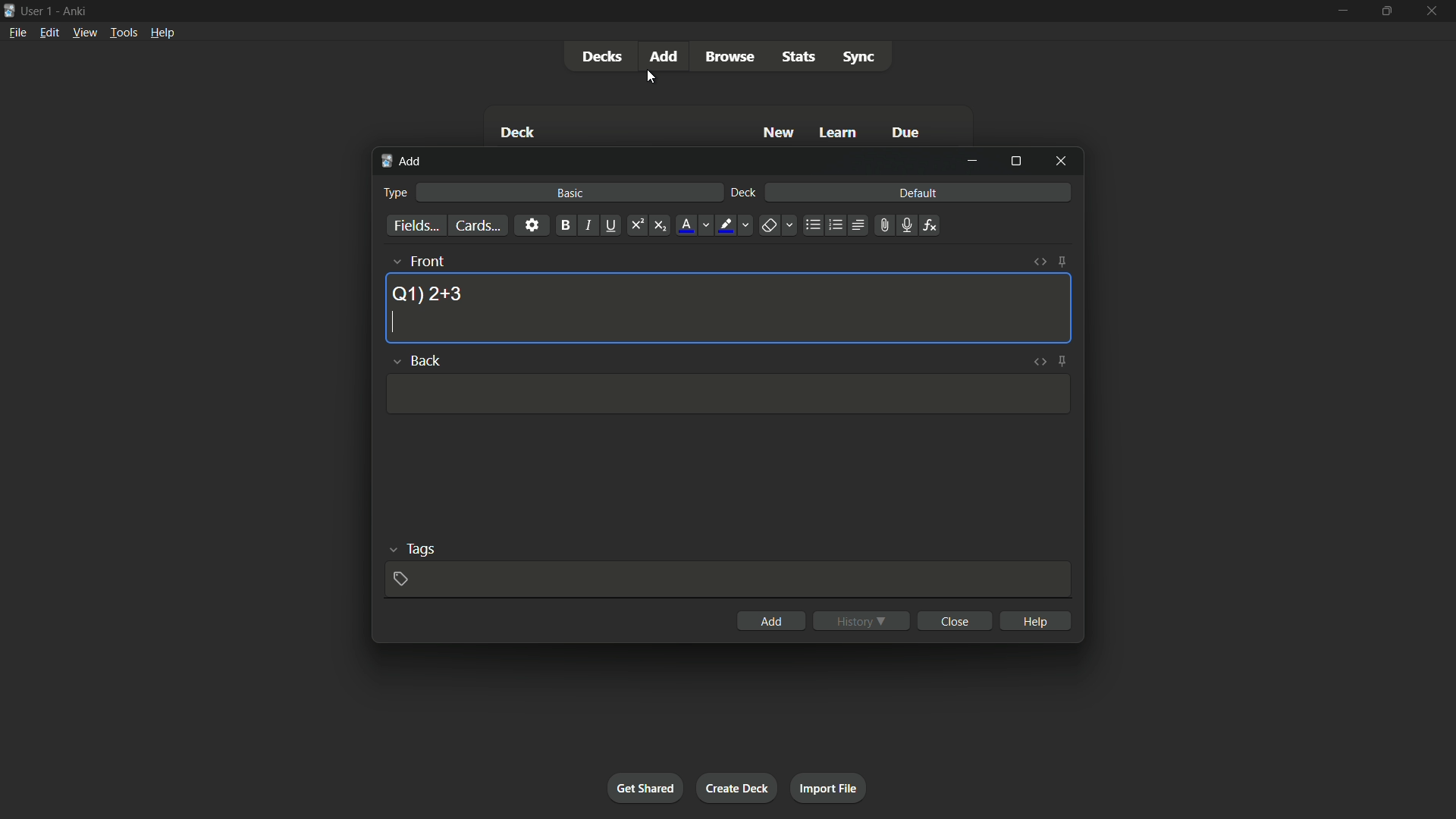 This screenshot has height=819, width=1456. What do you see at coordinates (37, 8) in the screenshot?
I see `user 1` at bounding box center [37, 8].